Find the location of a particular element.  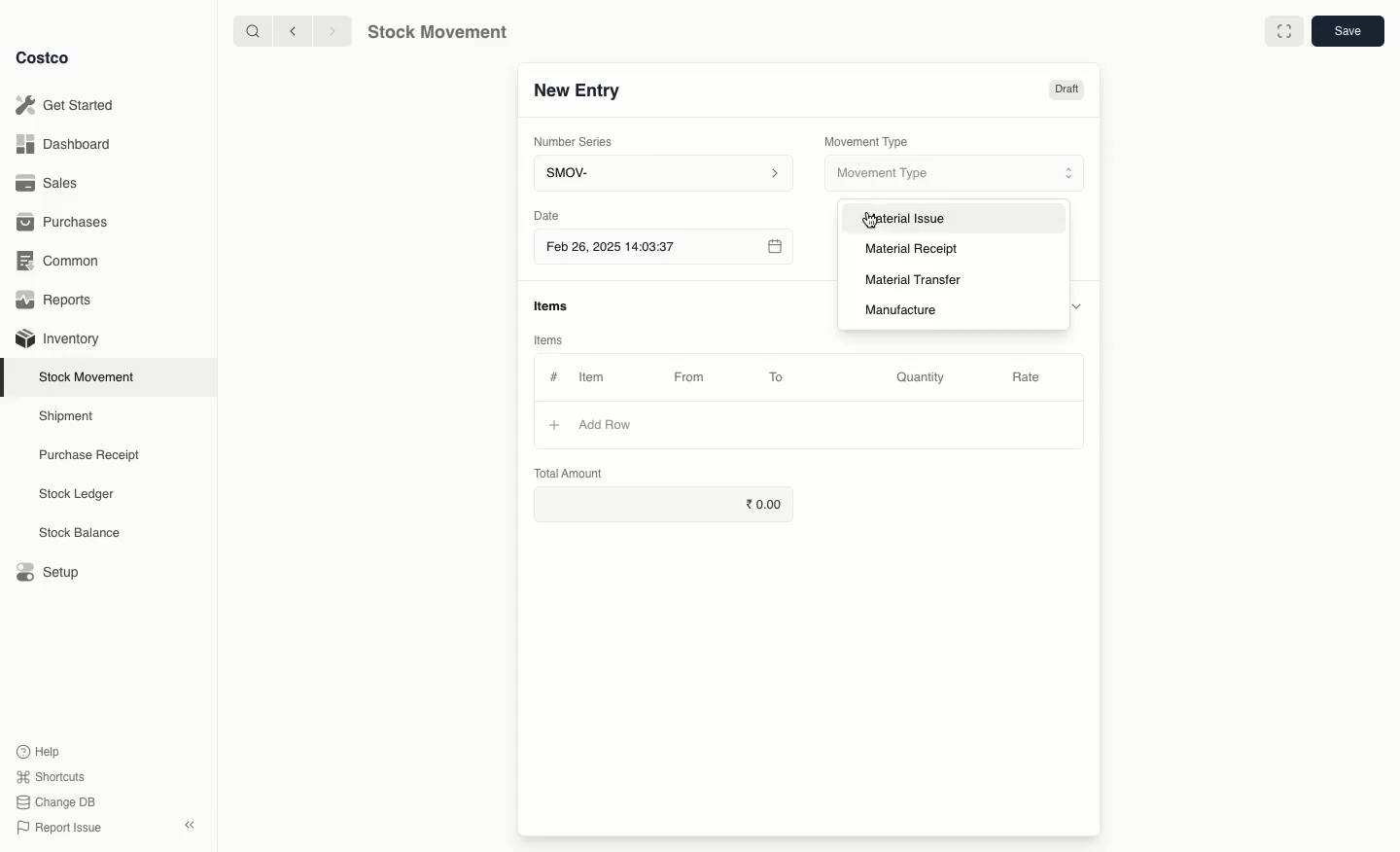

Stock Balance is located at coordinates (82, 533).